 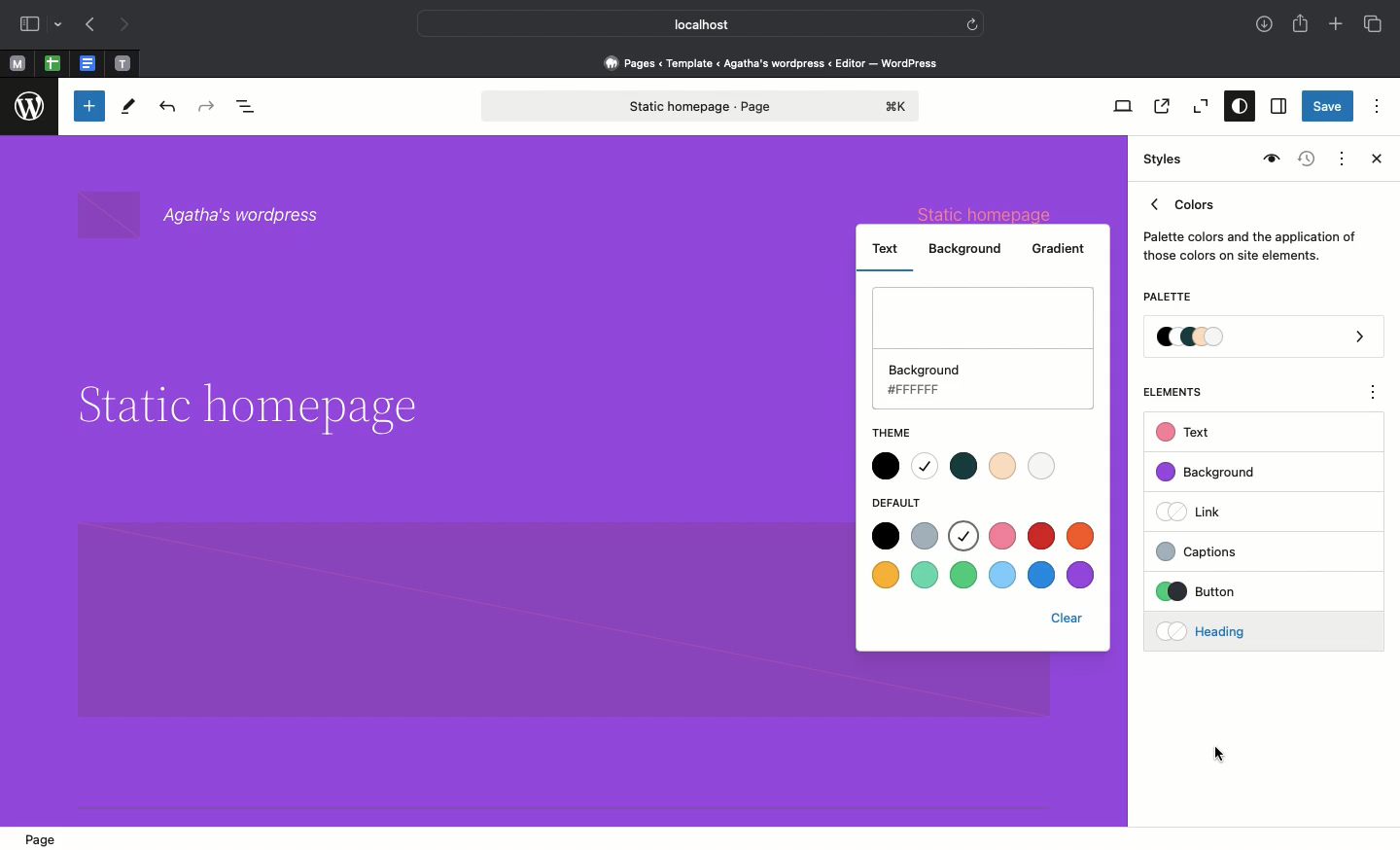 I want to click on Background, so click(x=1215, y=473).